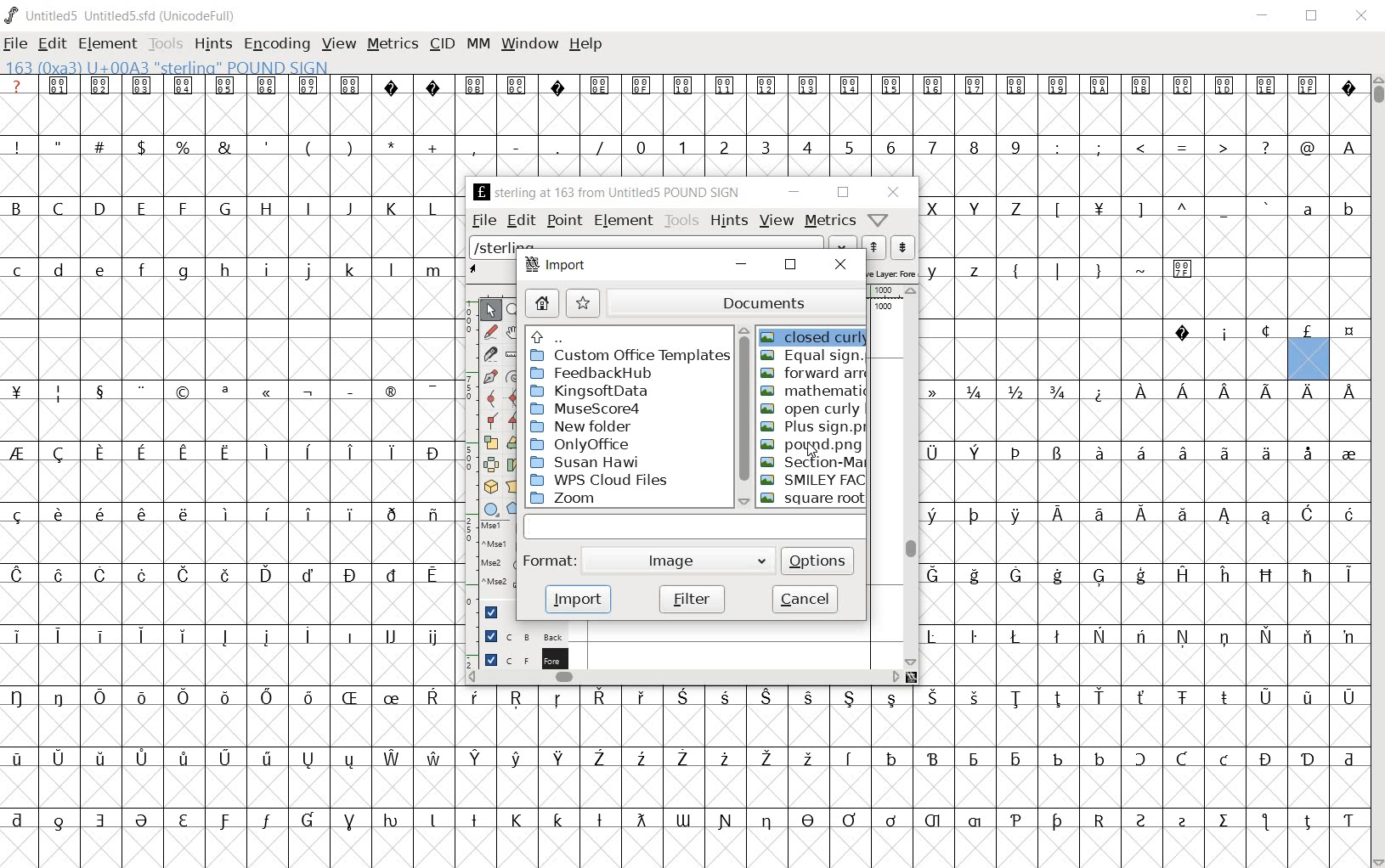  I want to click on |, so click(1054, 269).